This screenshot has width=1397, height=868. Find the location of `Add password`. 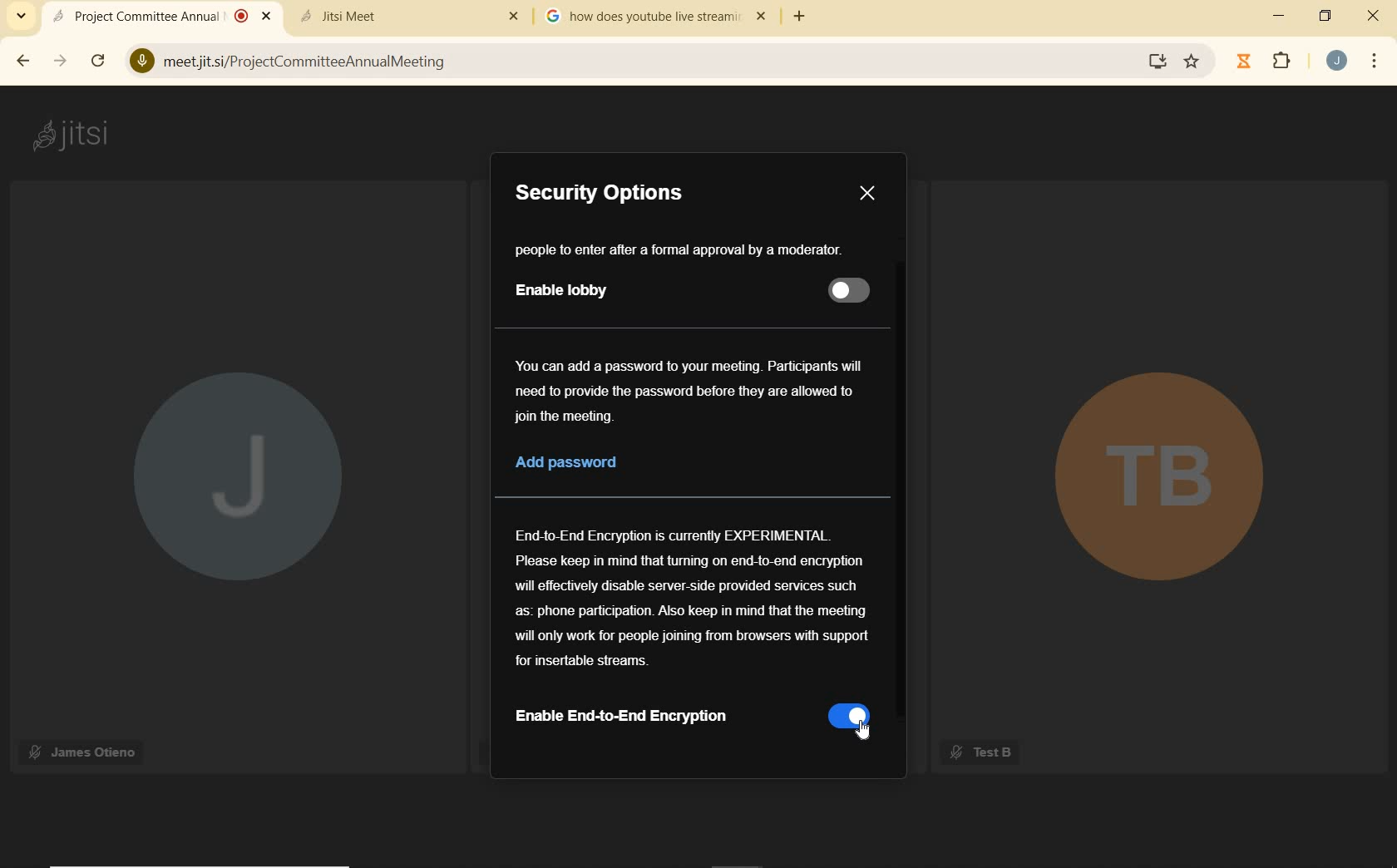

Add password is located at coordinates (581, 463).